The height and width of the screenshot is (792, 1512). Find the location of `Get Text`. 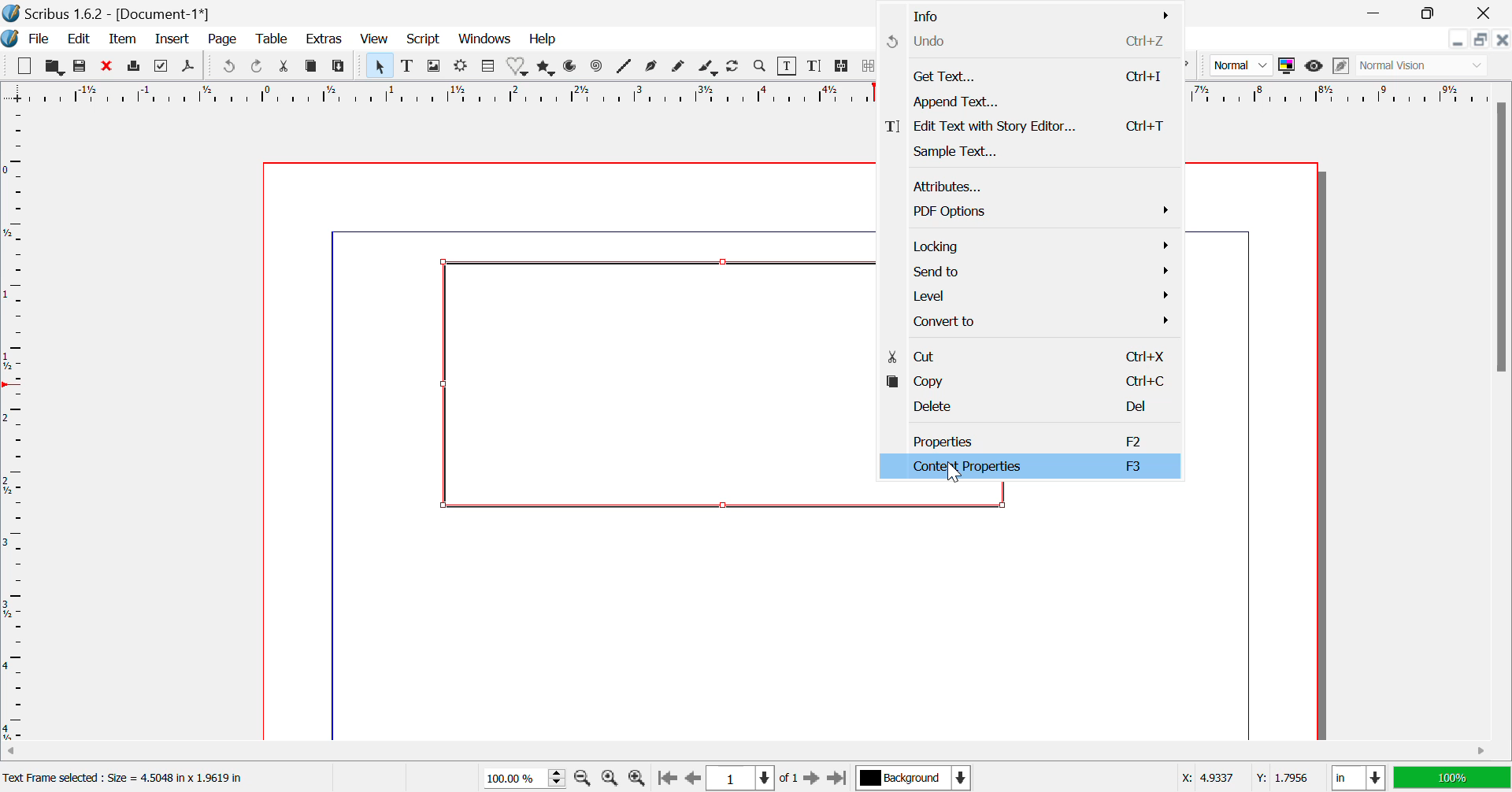

Get Text is located at coordinates (1028, 77).